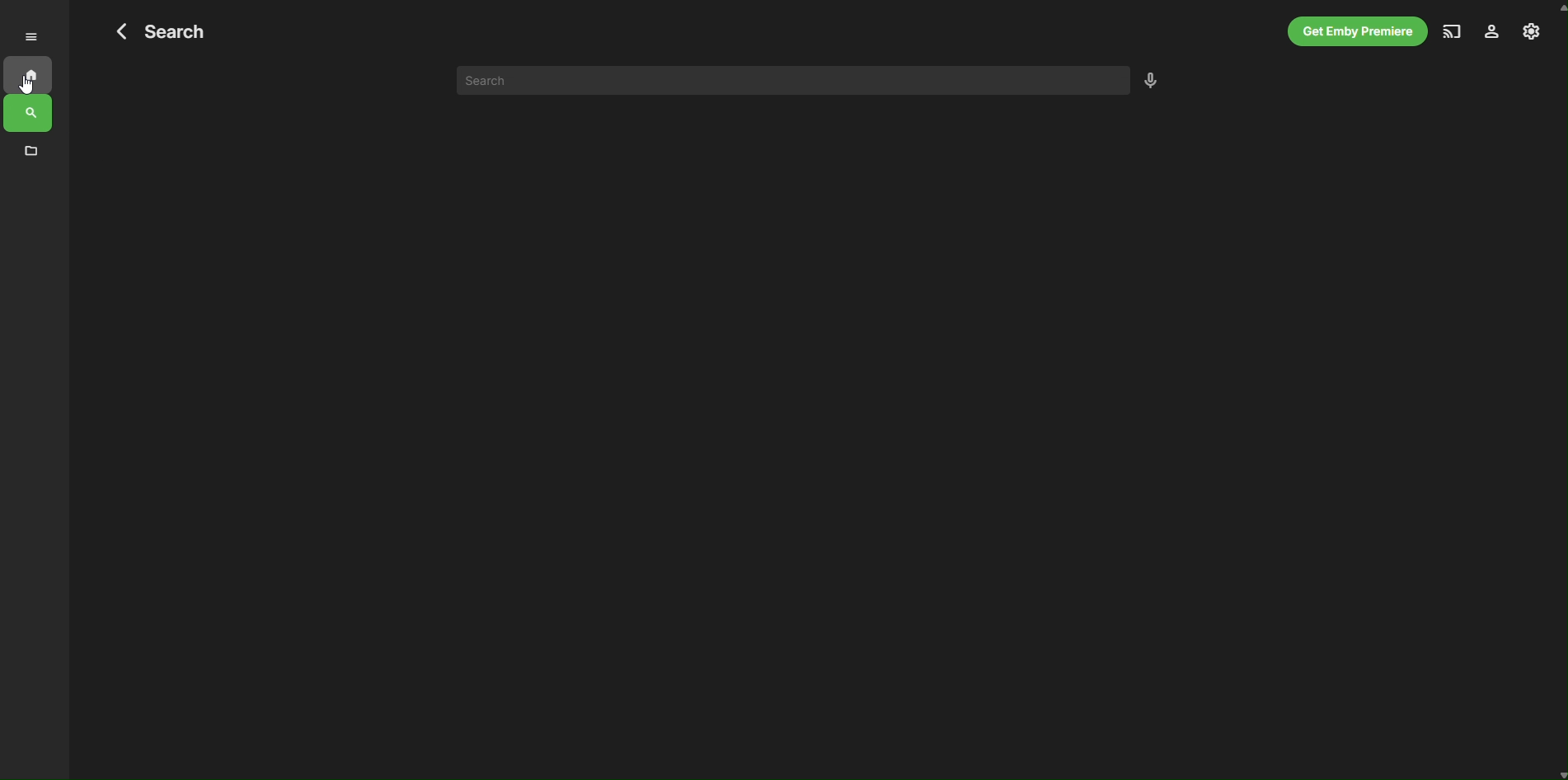 The image size is (1568, 780). Describe the element at coordinates (1534, 32) in the screenshot. I see `Settings` at that location.